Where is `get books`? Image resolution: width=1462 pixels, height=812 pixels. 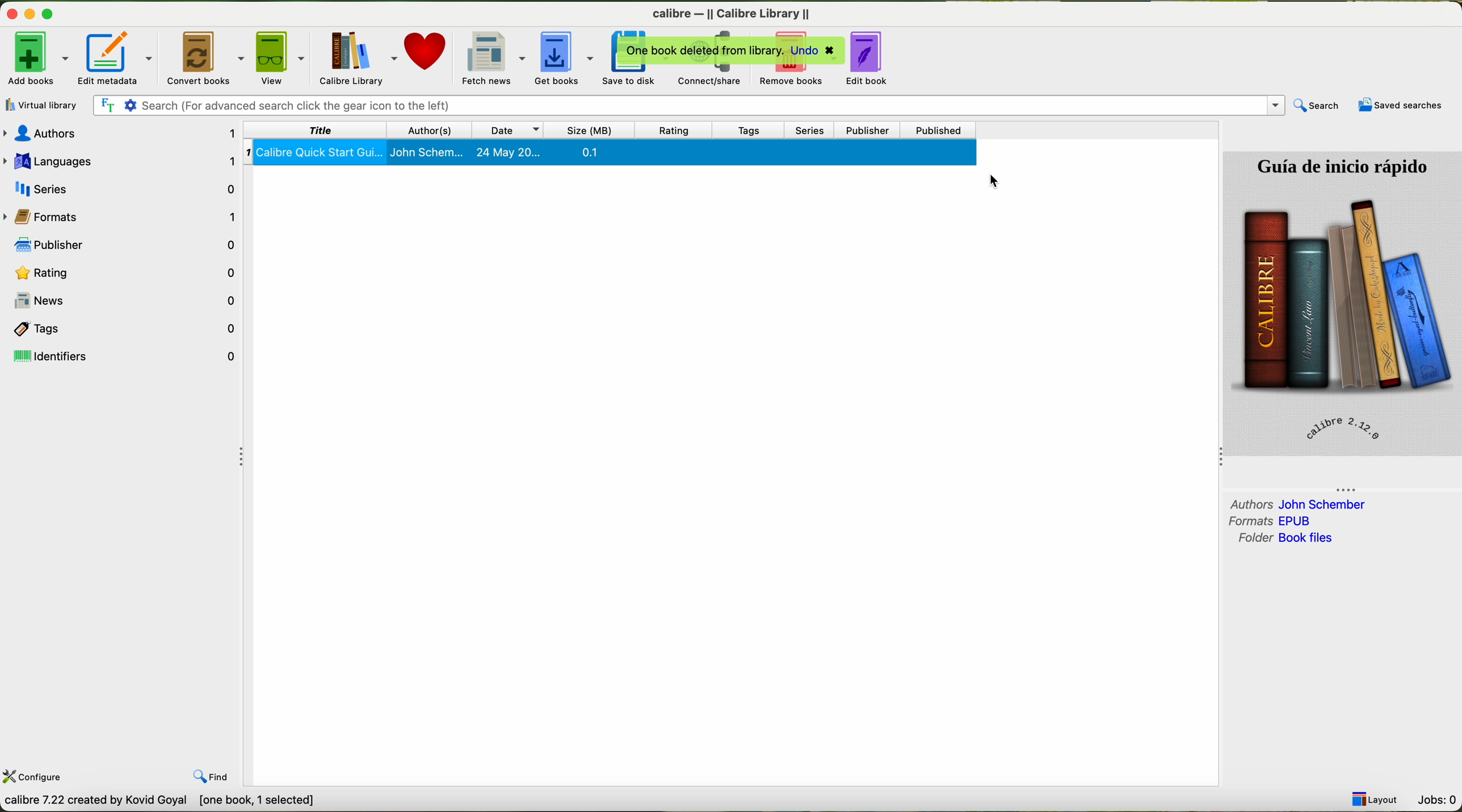 get books is located at coordinates (561, 58).